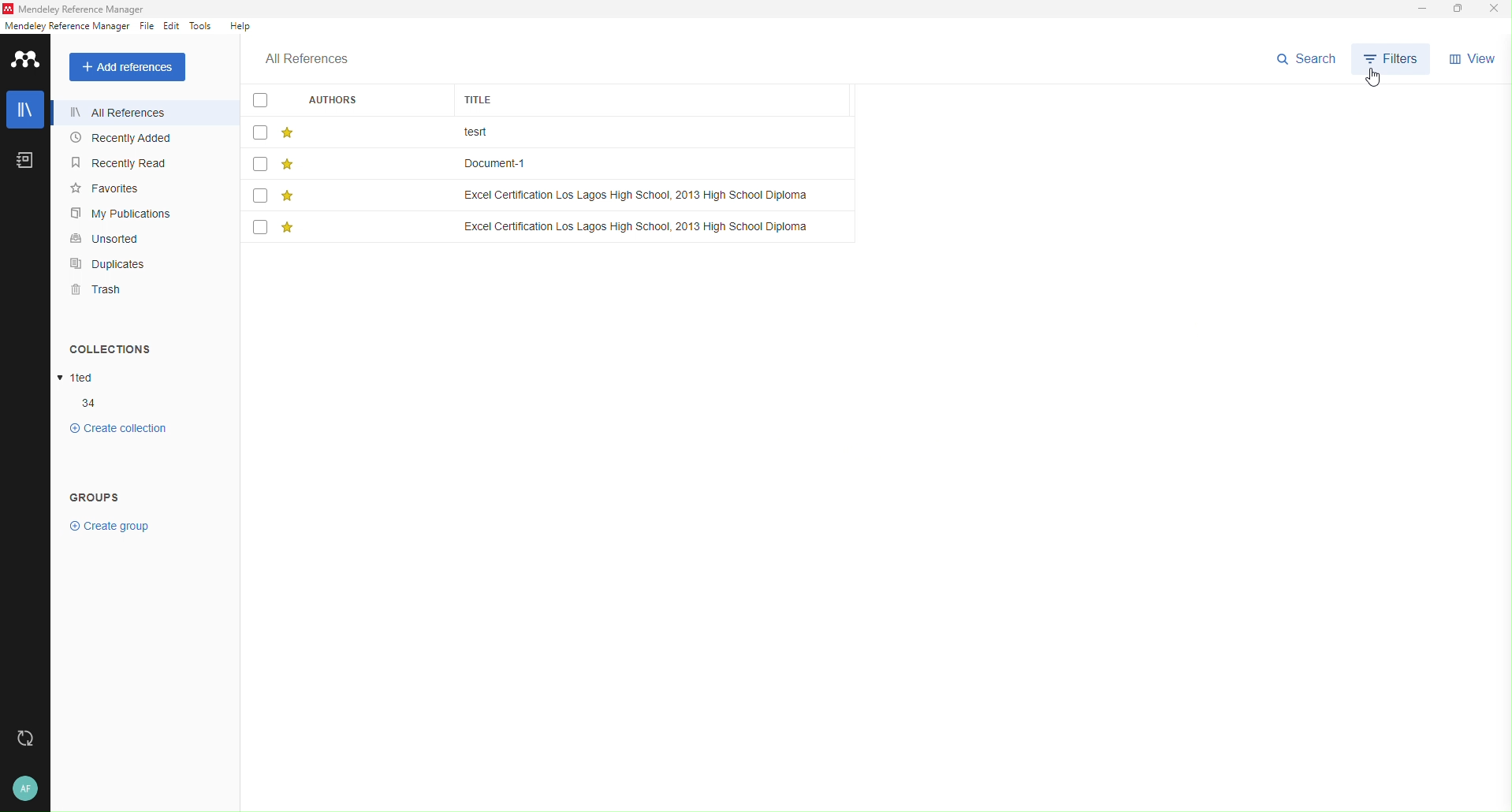 This screenshot has height=812, width=1512. Describe the element at coordinates (27, 790) in the screenshot. I see `User` at that location.